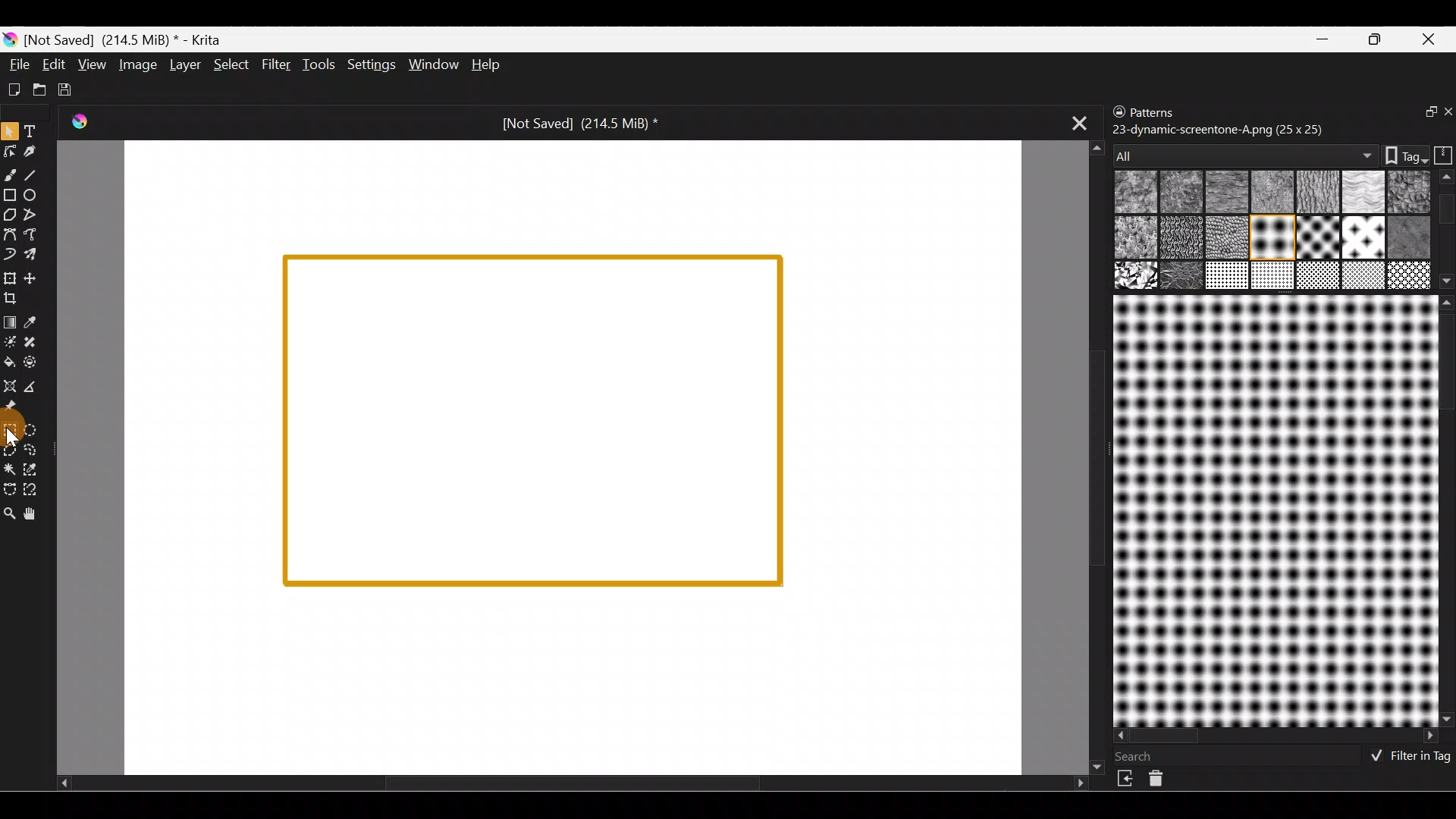 This screenshot has width=1456, height=819. Describe the element at coordinates (1324, 39) in the screenshot. I see `Minimize` at that location.